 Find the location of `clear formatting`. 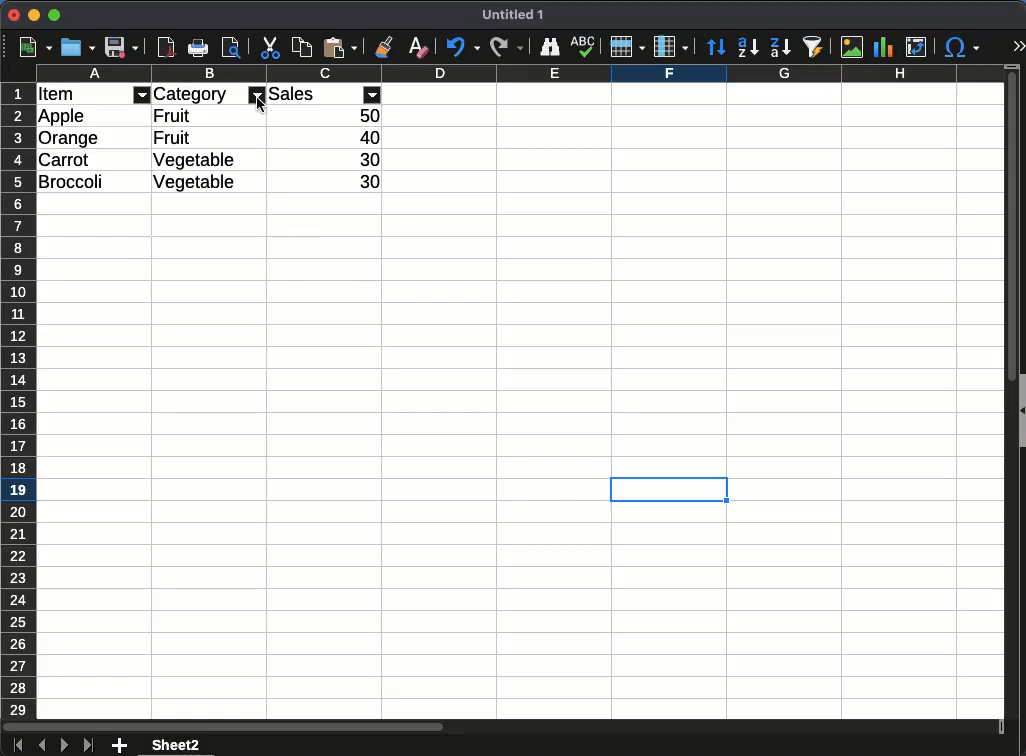

clear formatting is located at coordinates (415, 47).